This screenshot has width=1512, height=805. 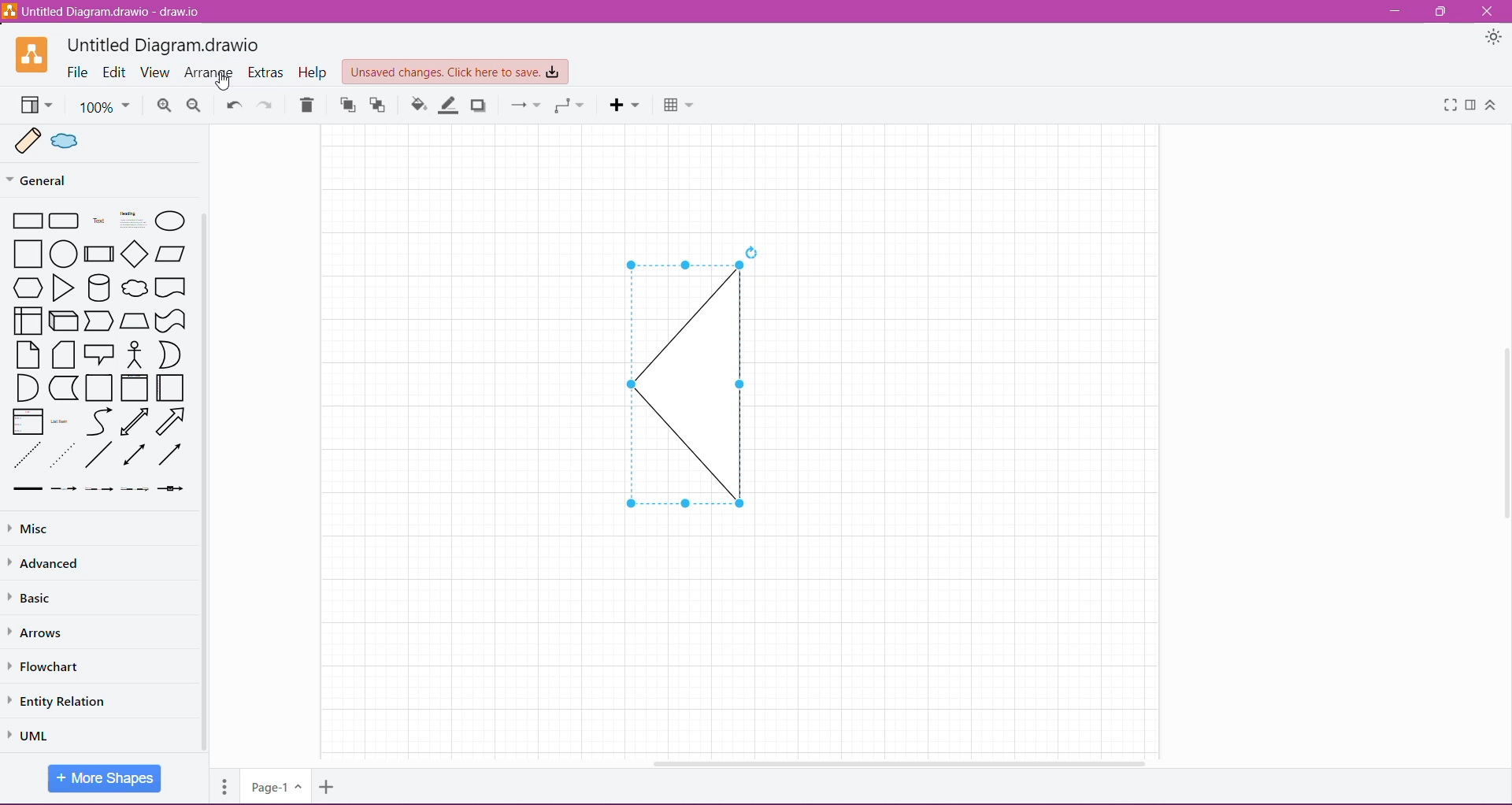 I want to click on Zoom Out, so click(x=191, y=106).